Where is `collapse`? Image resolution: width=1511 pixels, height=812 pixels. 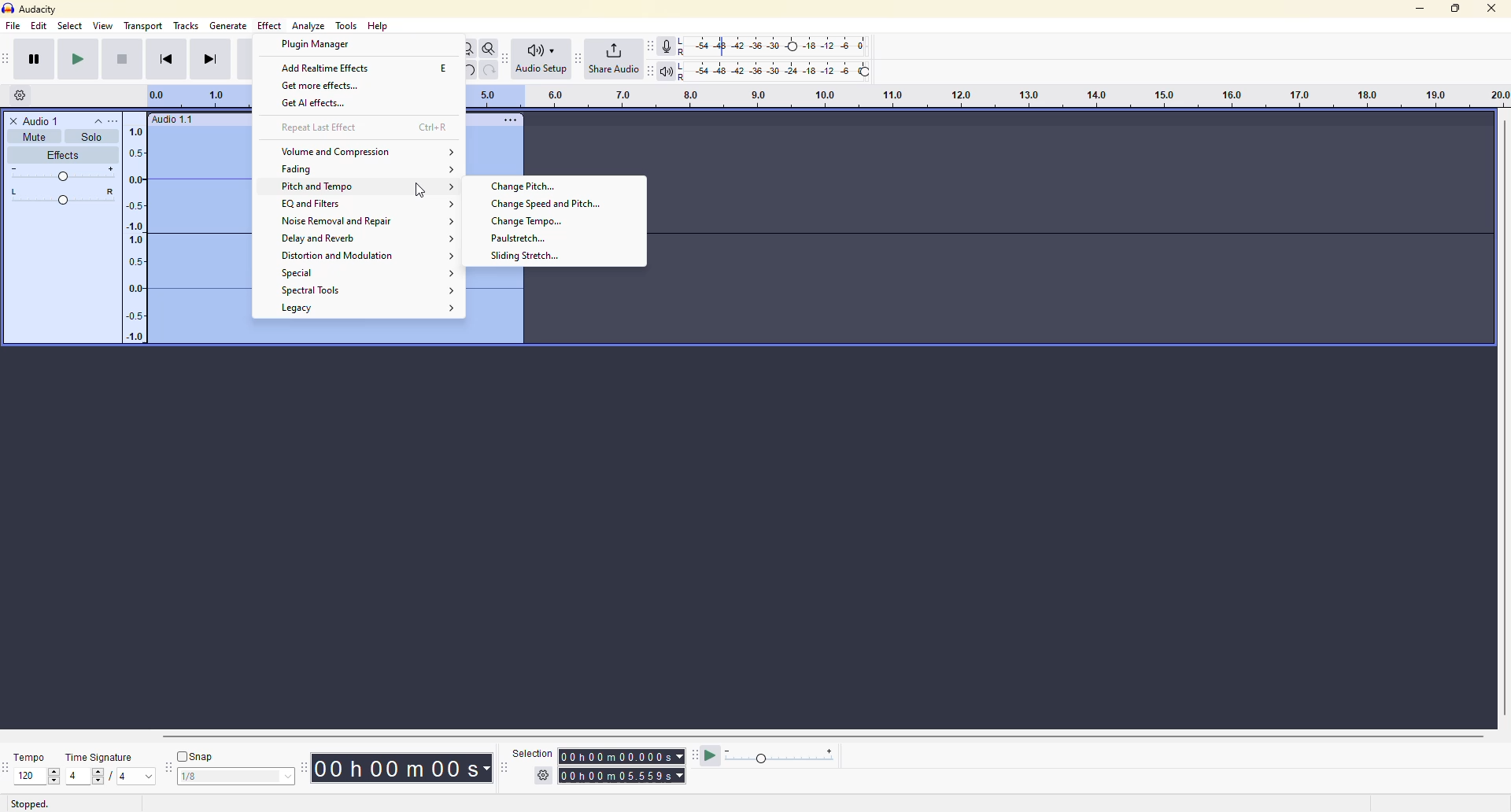
collapse is located at coordinates (98, 120).